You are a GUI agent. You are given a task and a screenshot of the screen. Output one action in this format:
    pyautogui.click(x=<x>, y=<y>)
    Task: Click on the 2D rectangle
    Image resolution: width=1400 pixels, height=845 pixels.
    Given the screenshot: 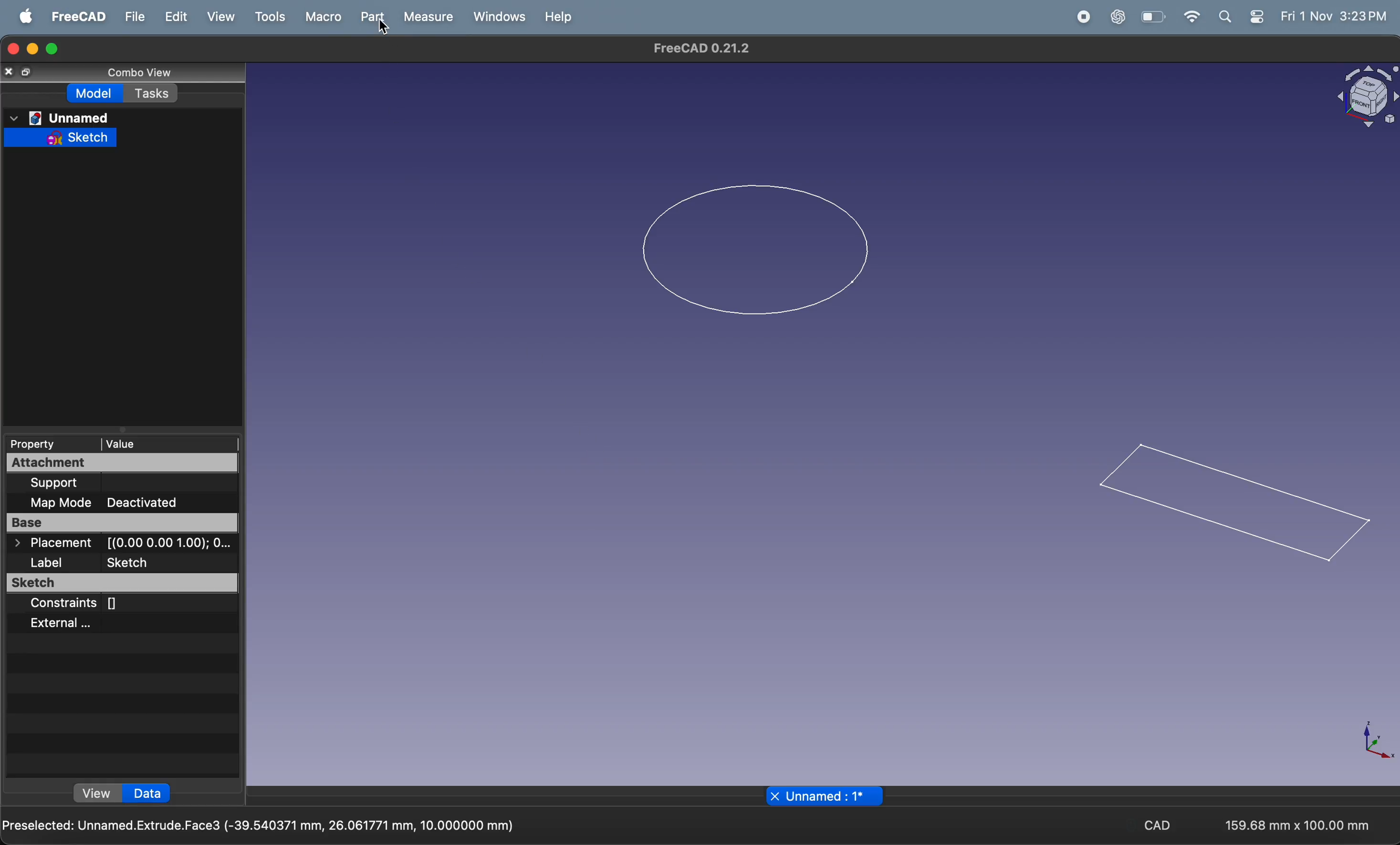 What is the action you would take?
    pyautogui.click(x=1234, y=507)
    